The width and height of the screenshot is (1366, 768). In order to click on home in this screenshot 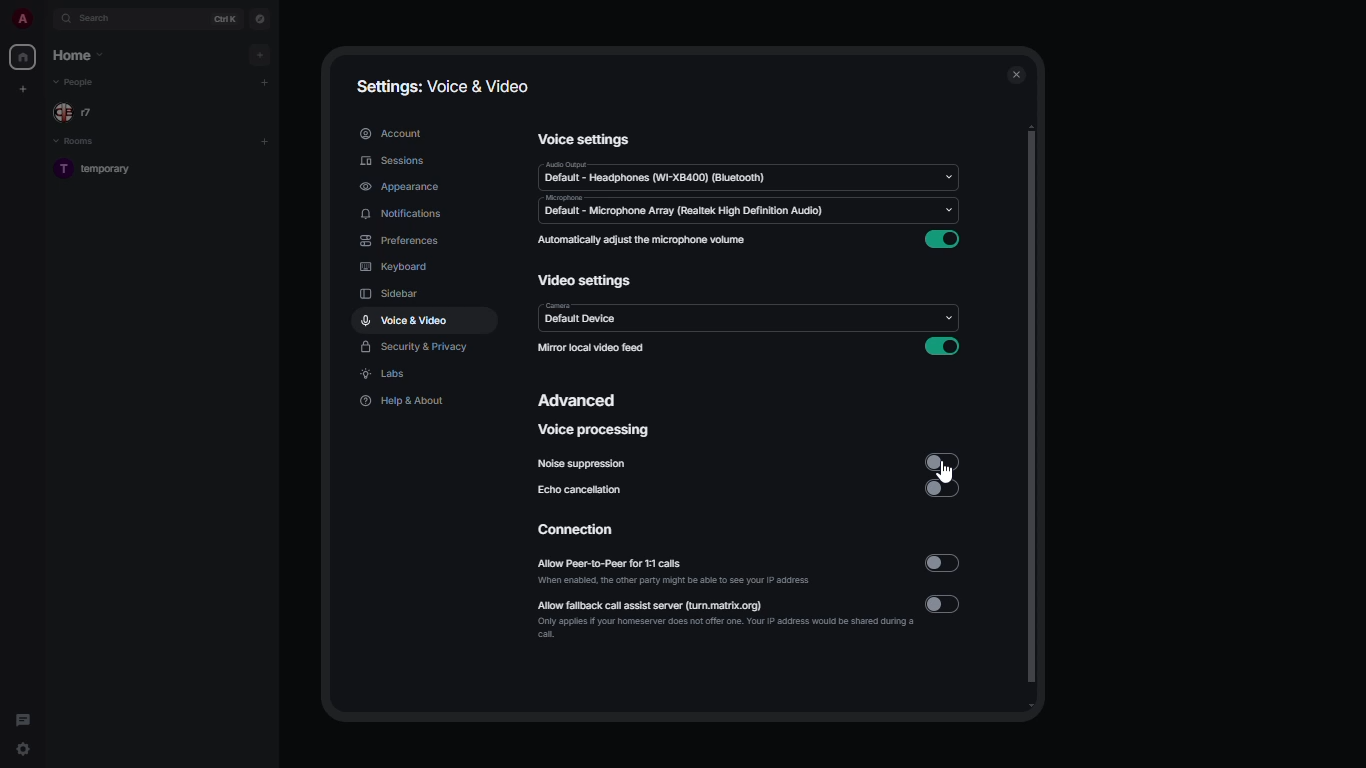, I will do `click(77, 57)`.